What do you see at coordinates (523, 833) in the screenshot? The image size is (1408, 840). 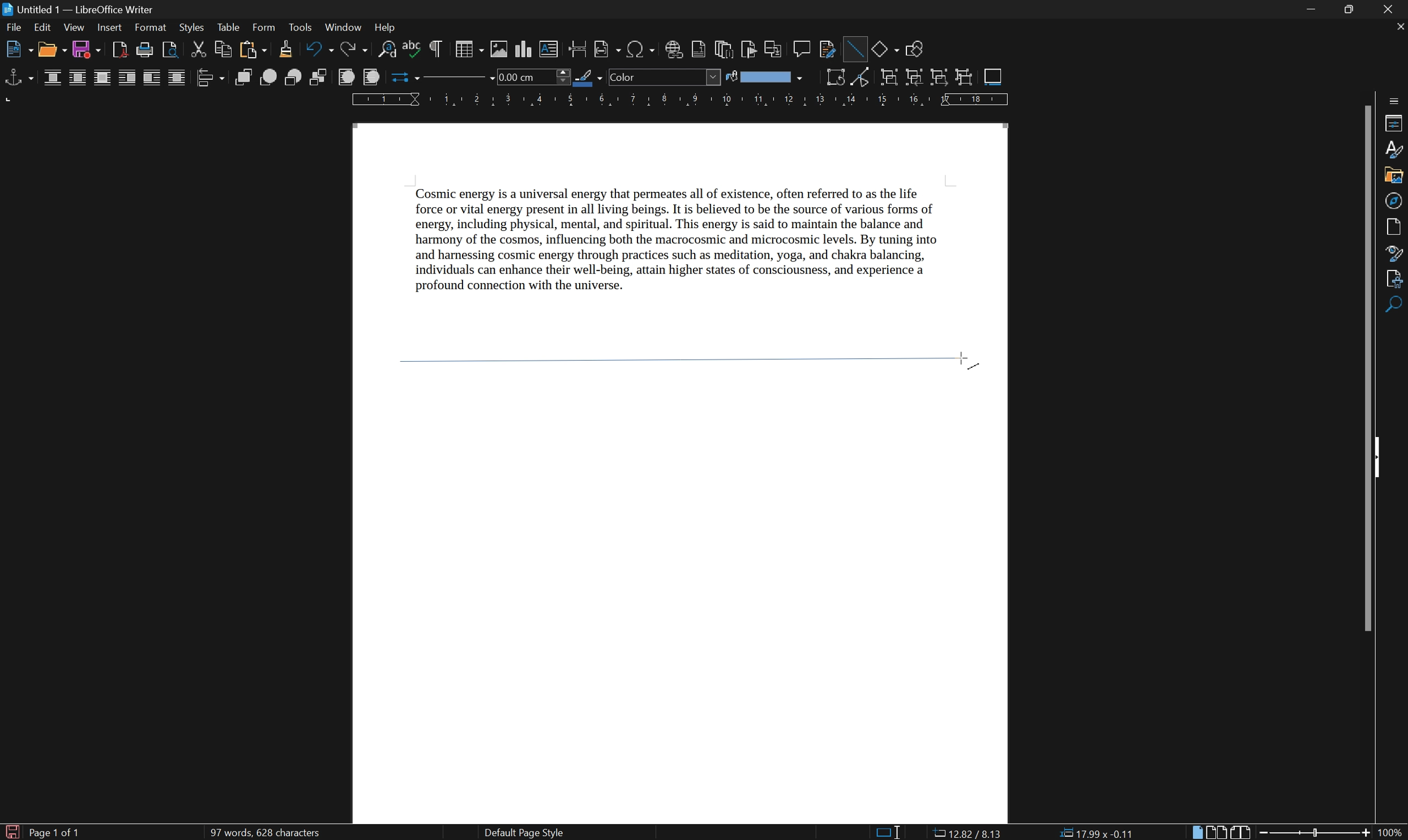 I see `default page style` at bounding box center [523, 833].